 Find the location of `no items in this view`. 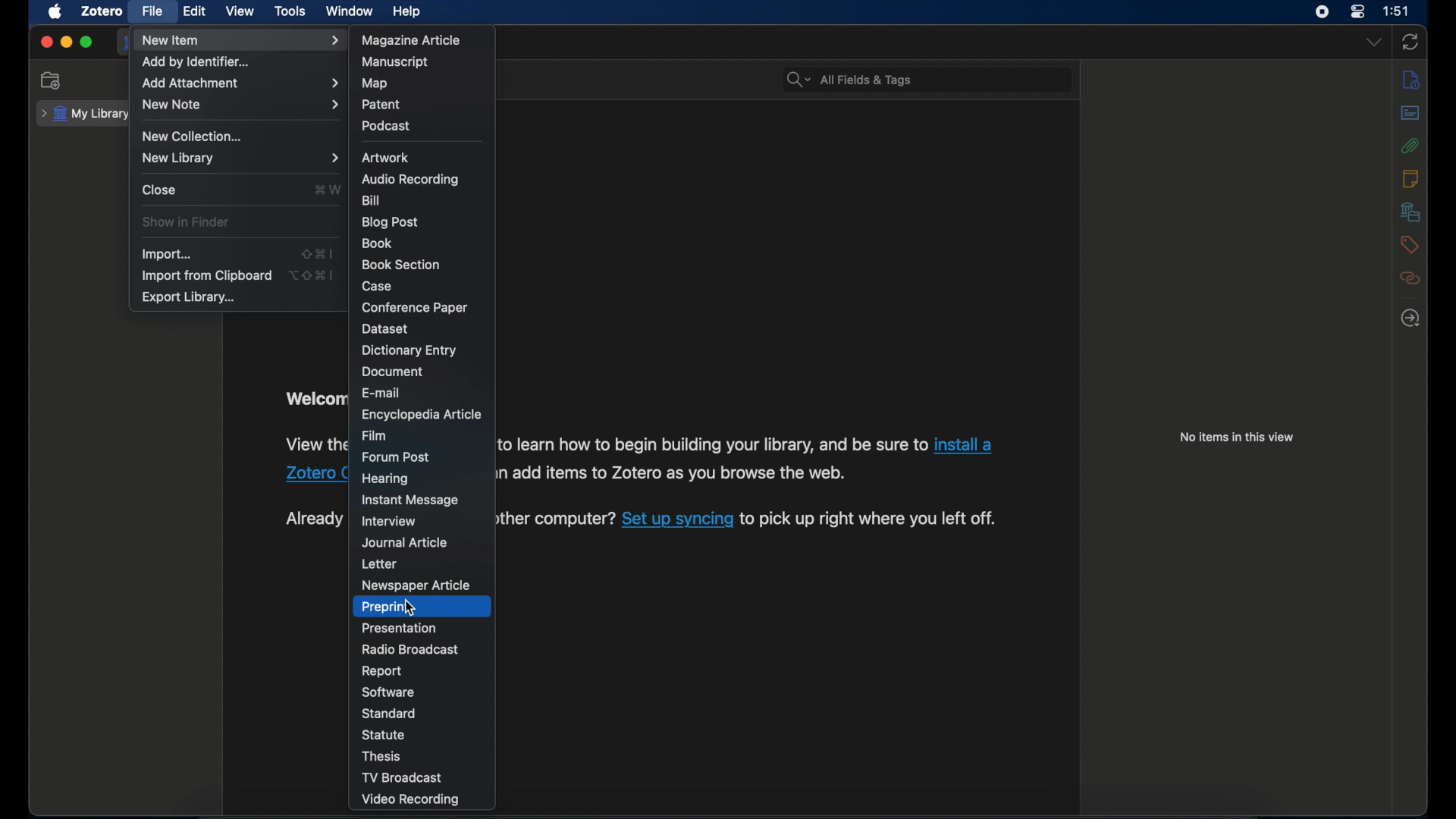

no items in this view is located at coordinates (1238, 437).